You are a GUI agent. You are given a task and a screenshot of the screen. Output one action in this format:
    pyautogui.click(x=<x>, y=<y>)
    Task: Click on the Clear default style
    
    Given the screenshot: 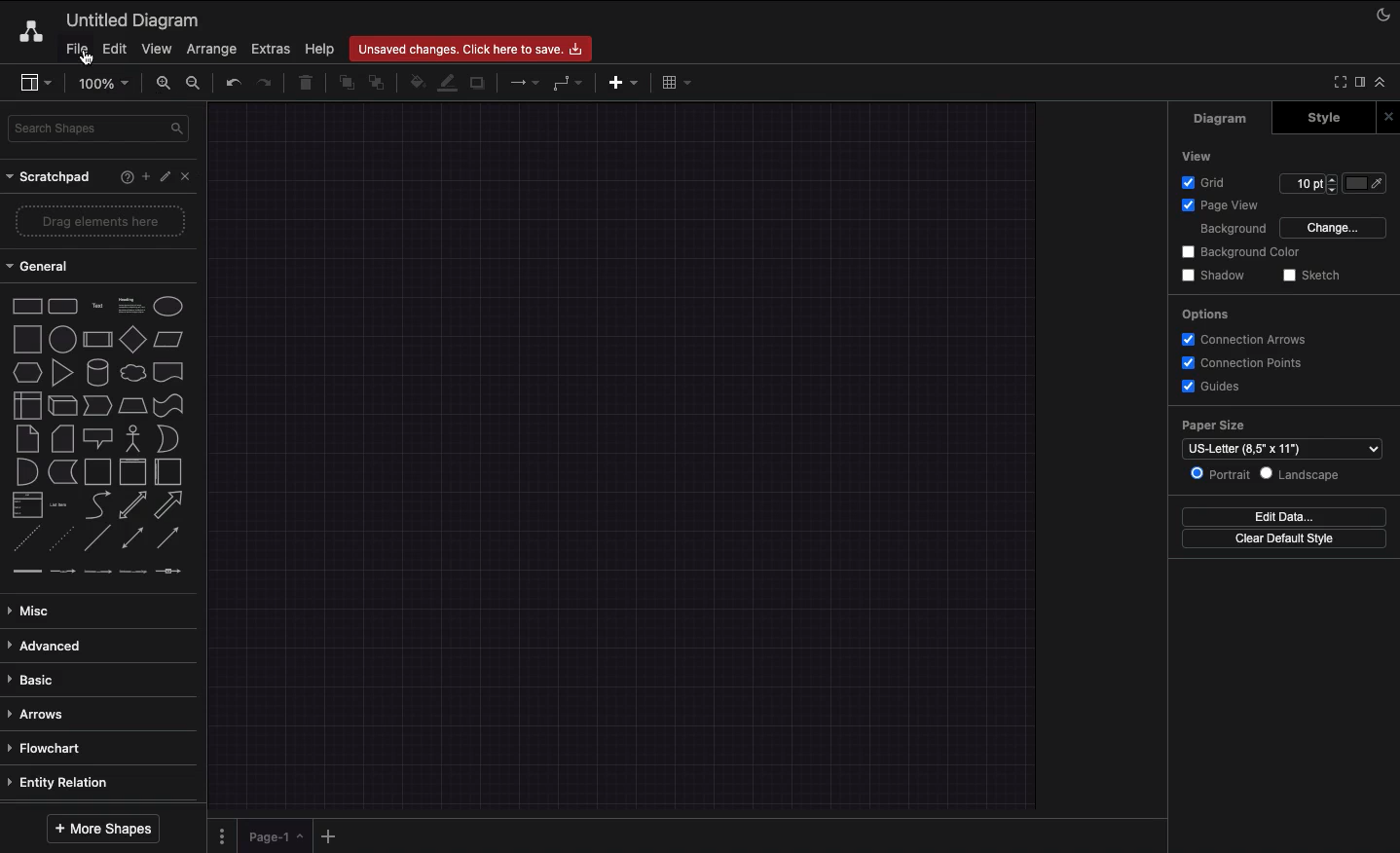 What is the action you would take?
    pyautogui.click(x=1283, y=539)
    